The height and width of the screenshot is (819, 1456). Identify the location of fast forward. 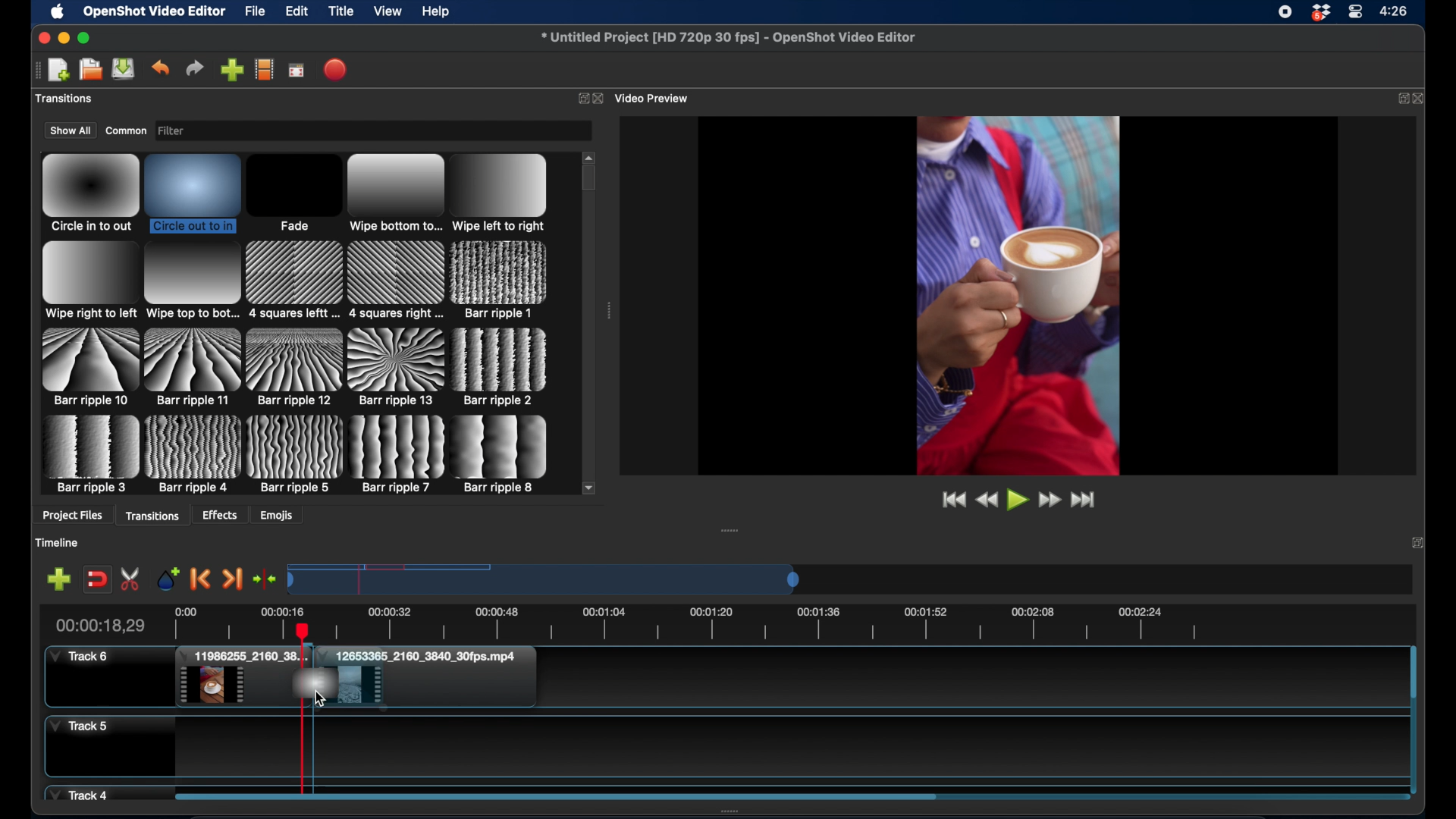
(1049, 500).